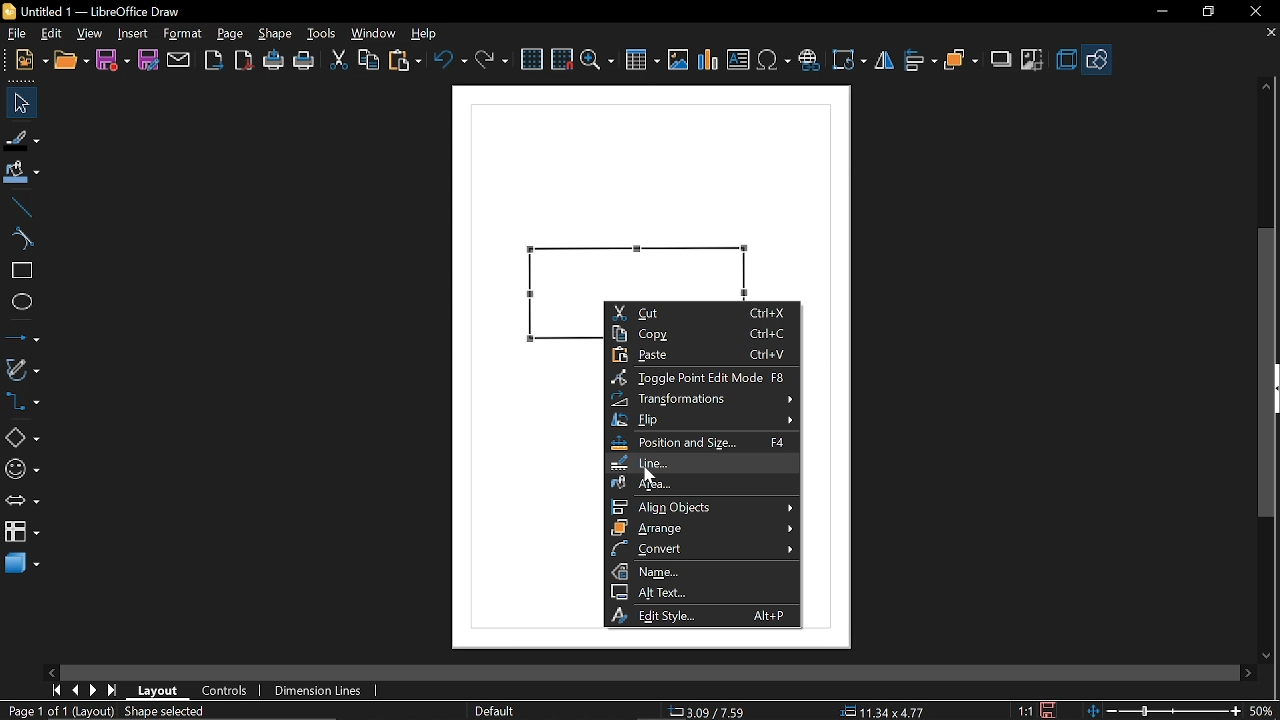 This screenshot has height=720, width=1280. What do you see at coordinates (848, 62) in the screenshot?
I see `Transformation` at bounding box center [848, 62].